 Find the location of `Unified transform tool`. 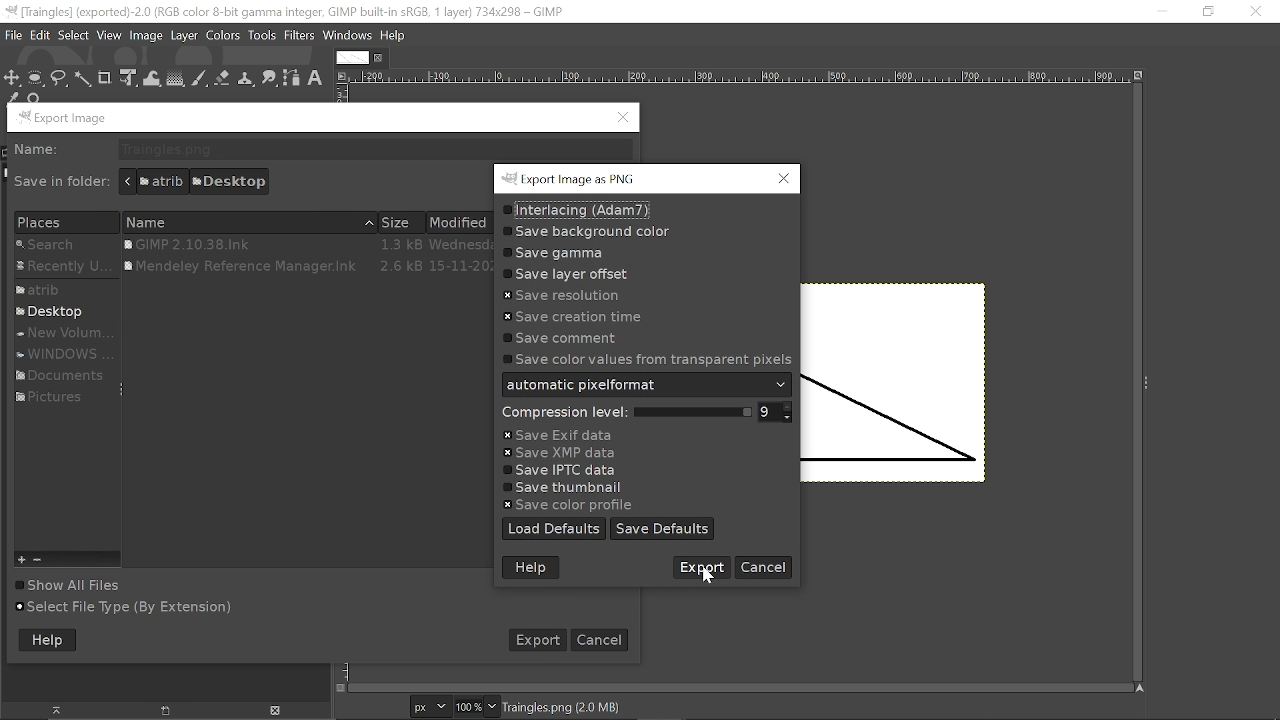

Unified transform tool is located at coordinates (127, 78).